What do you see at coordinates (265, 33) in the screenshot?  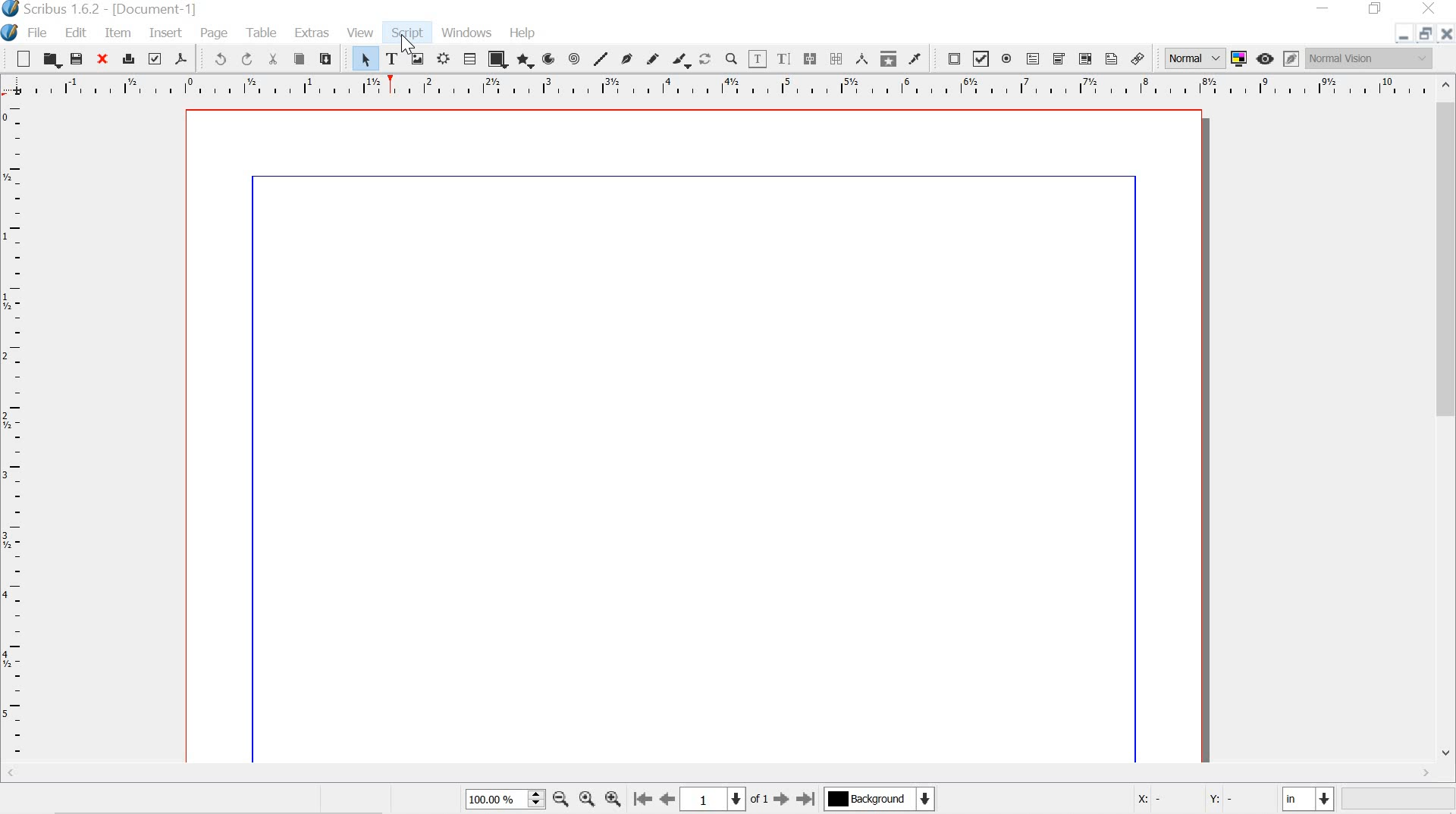 I see `table` at bounding box center [265, 33].